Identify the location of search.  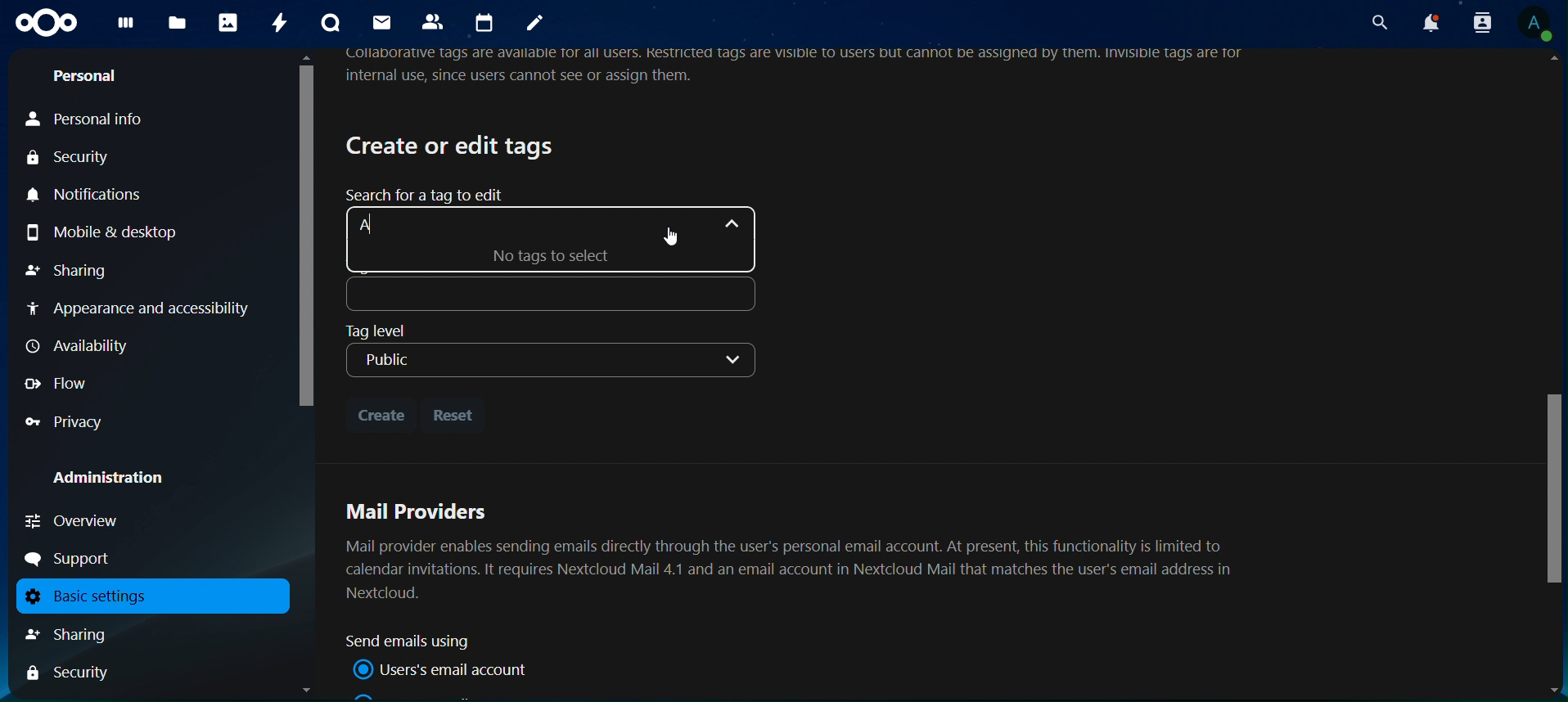
(1377, 22).